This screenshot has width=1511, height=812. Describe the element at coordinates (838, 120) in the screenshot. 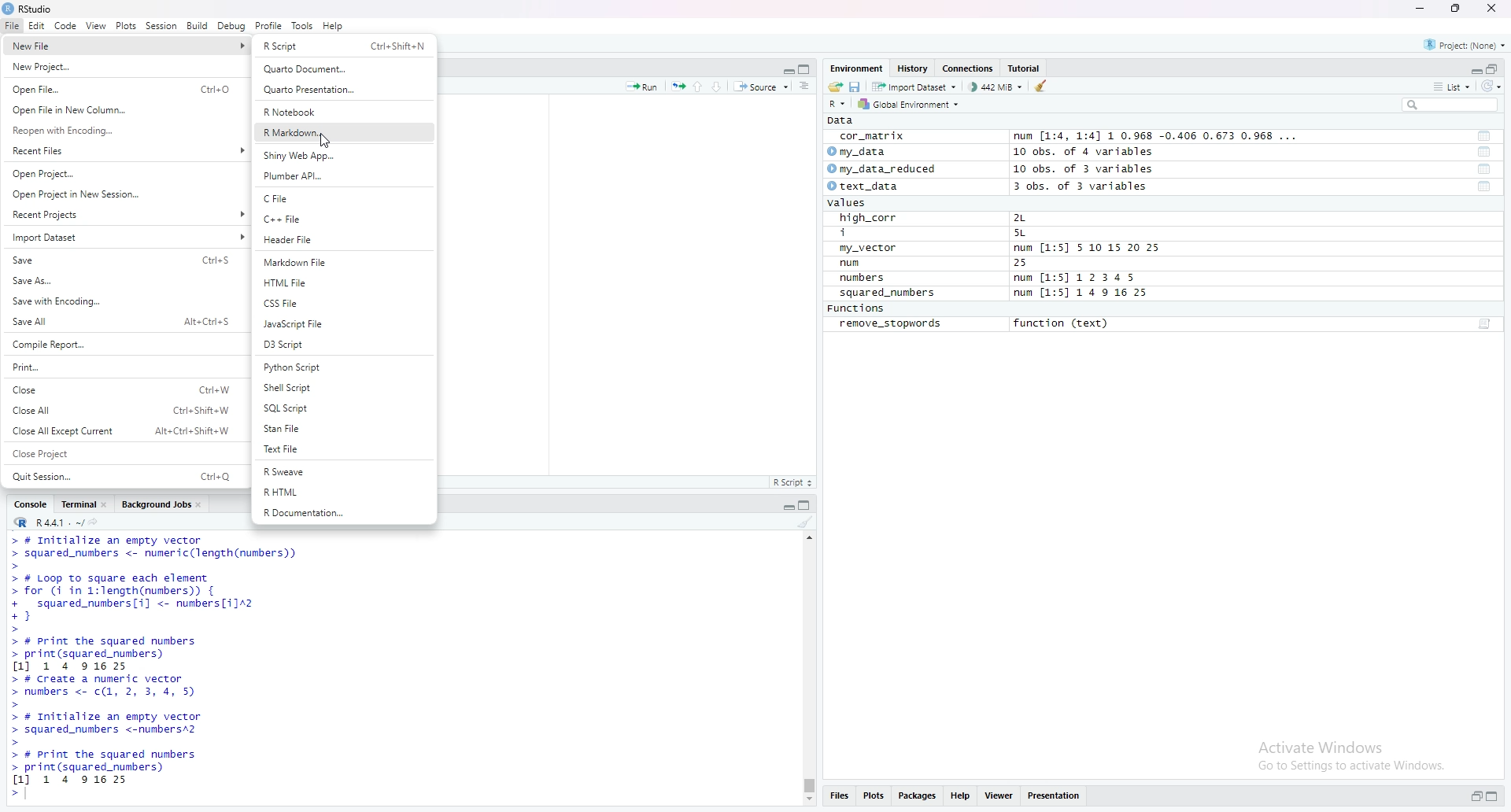

I see `Data` at that location.